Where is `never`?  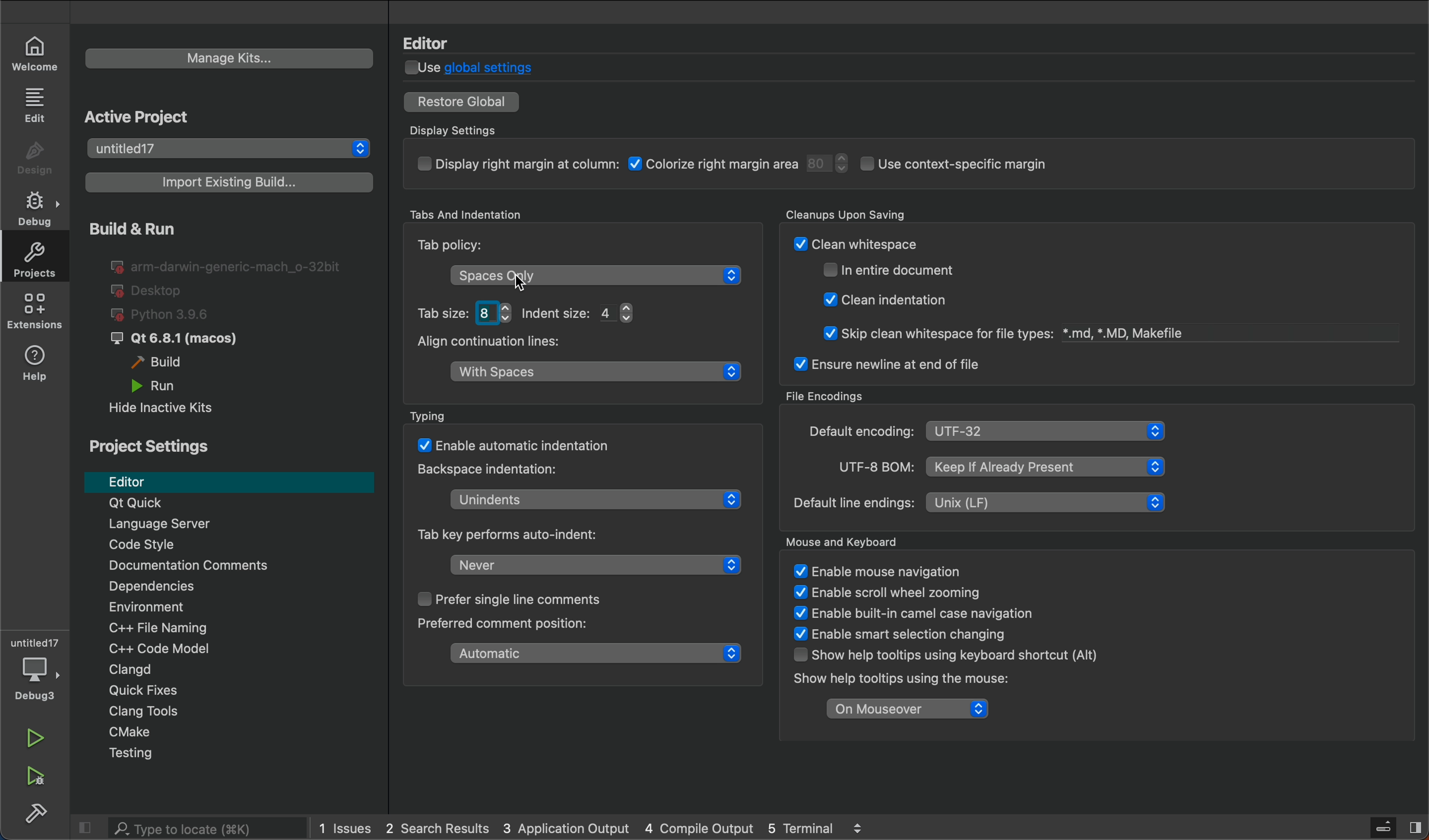
never is located at coordinates (587, 565).